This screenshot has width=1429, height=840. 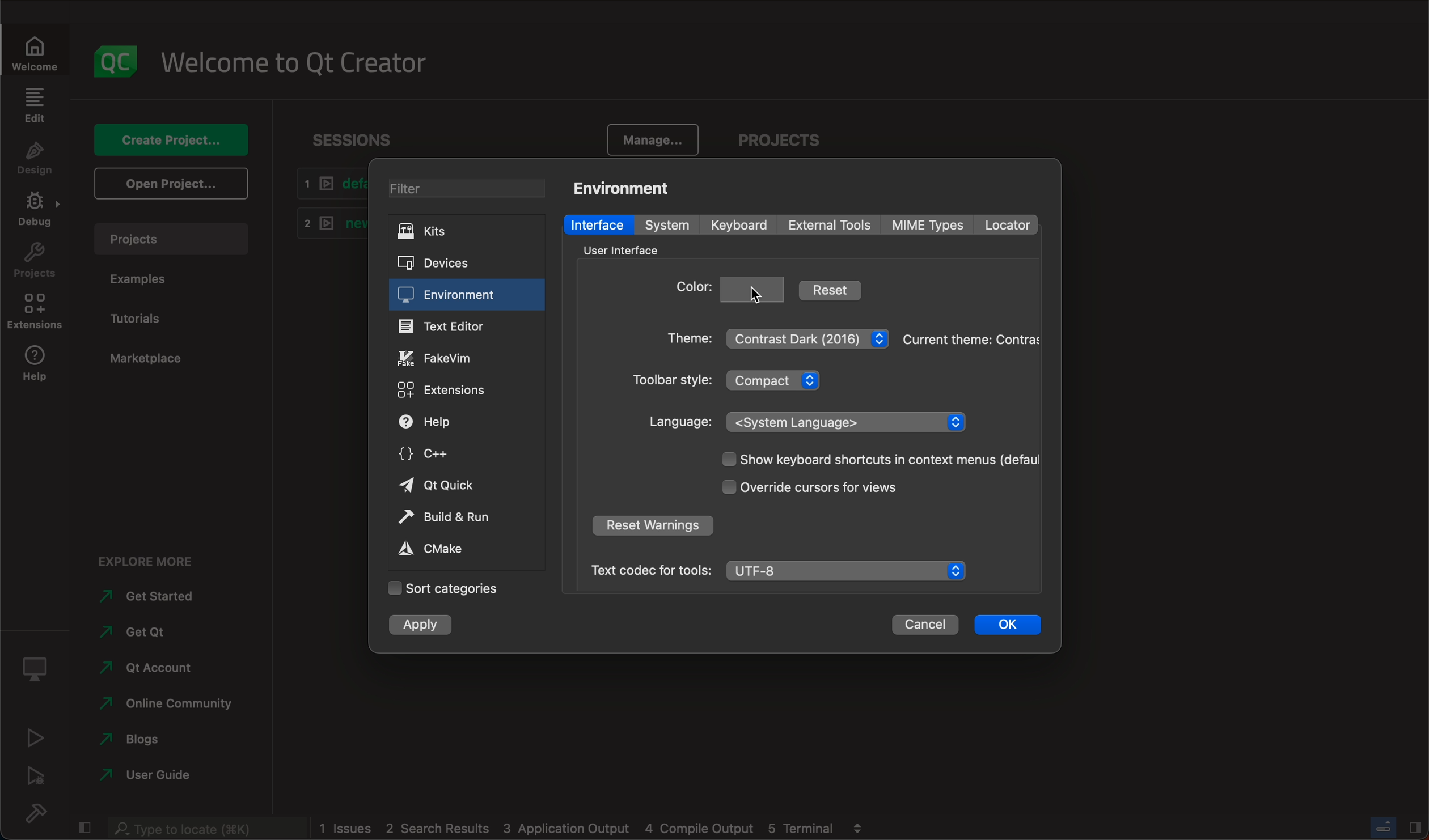 What do you see at coordinates (168, 701) in the screenshot?
I see `online` at bounding box center [168, 701].